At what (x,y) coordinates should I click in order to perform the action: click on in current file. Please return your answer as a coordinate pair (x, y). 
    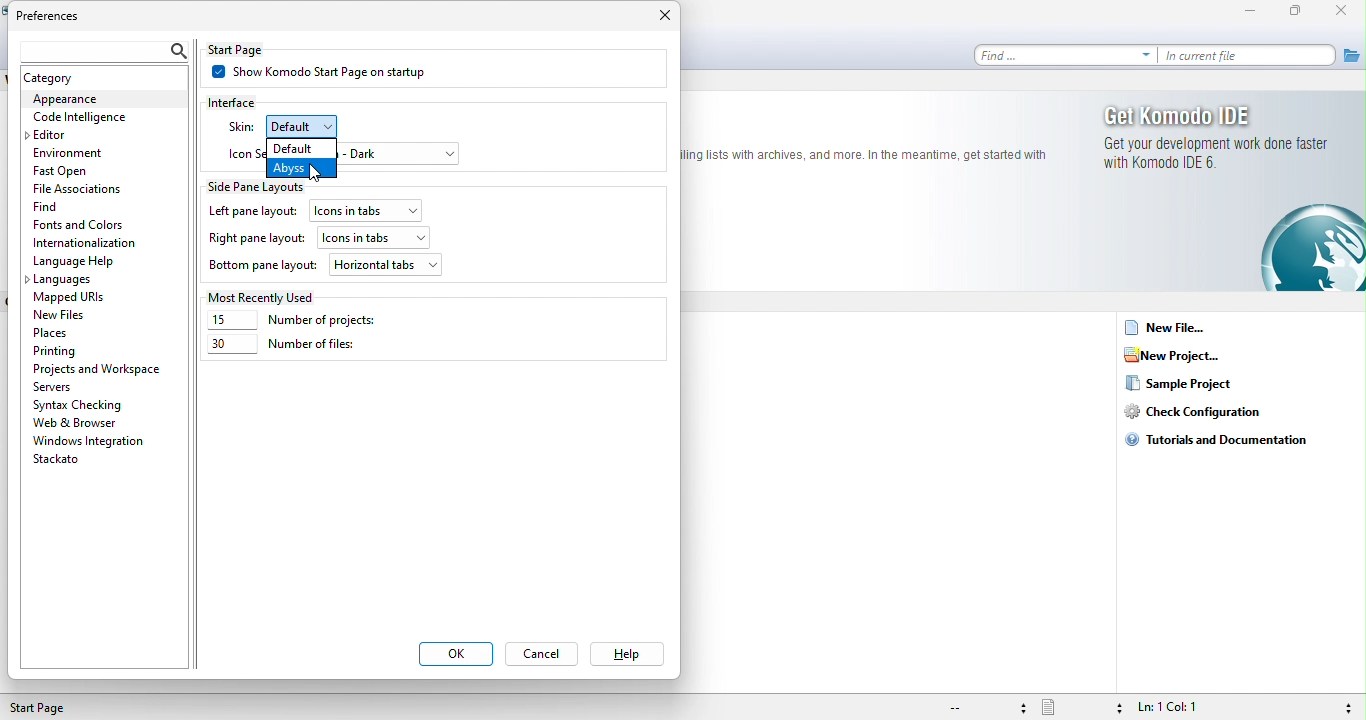
    Looking at the image, I should click on (1249, 56).